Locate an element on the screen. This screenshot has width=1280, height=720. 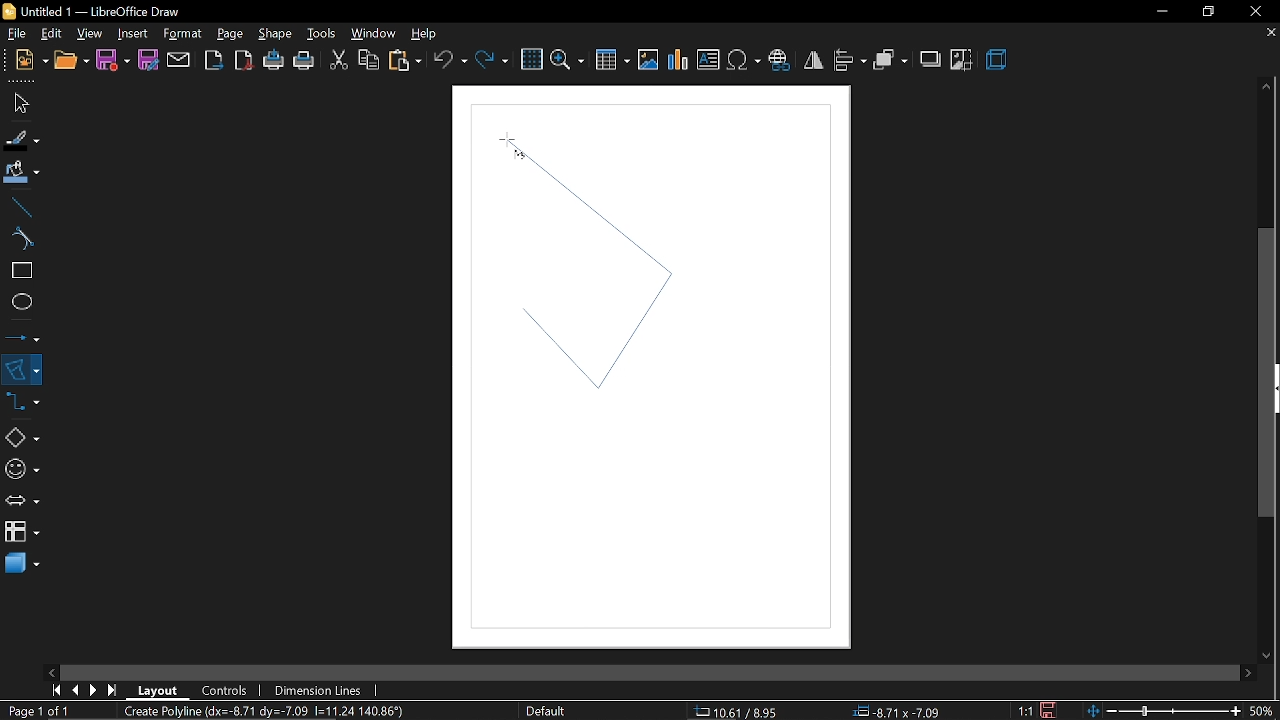
save is located at coordinates (1054, 708).